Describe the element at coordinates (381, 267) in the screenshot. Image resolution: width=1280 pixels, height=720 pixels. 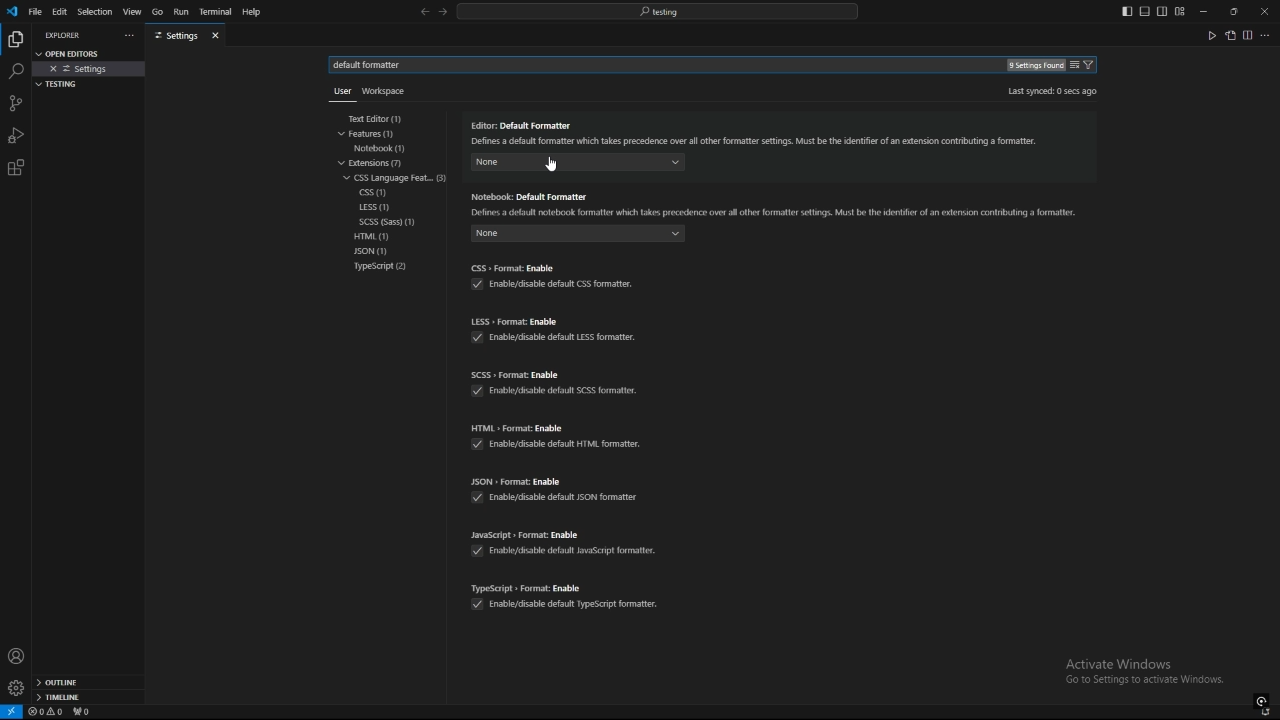
I see `typescript` at that location.